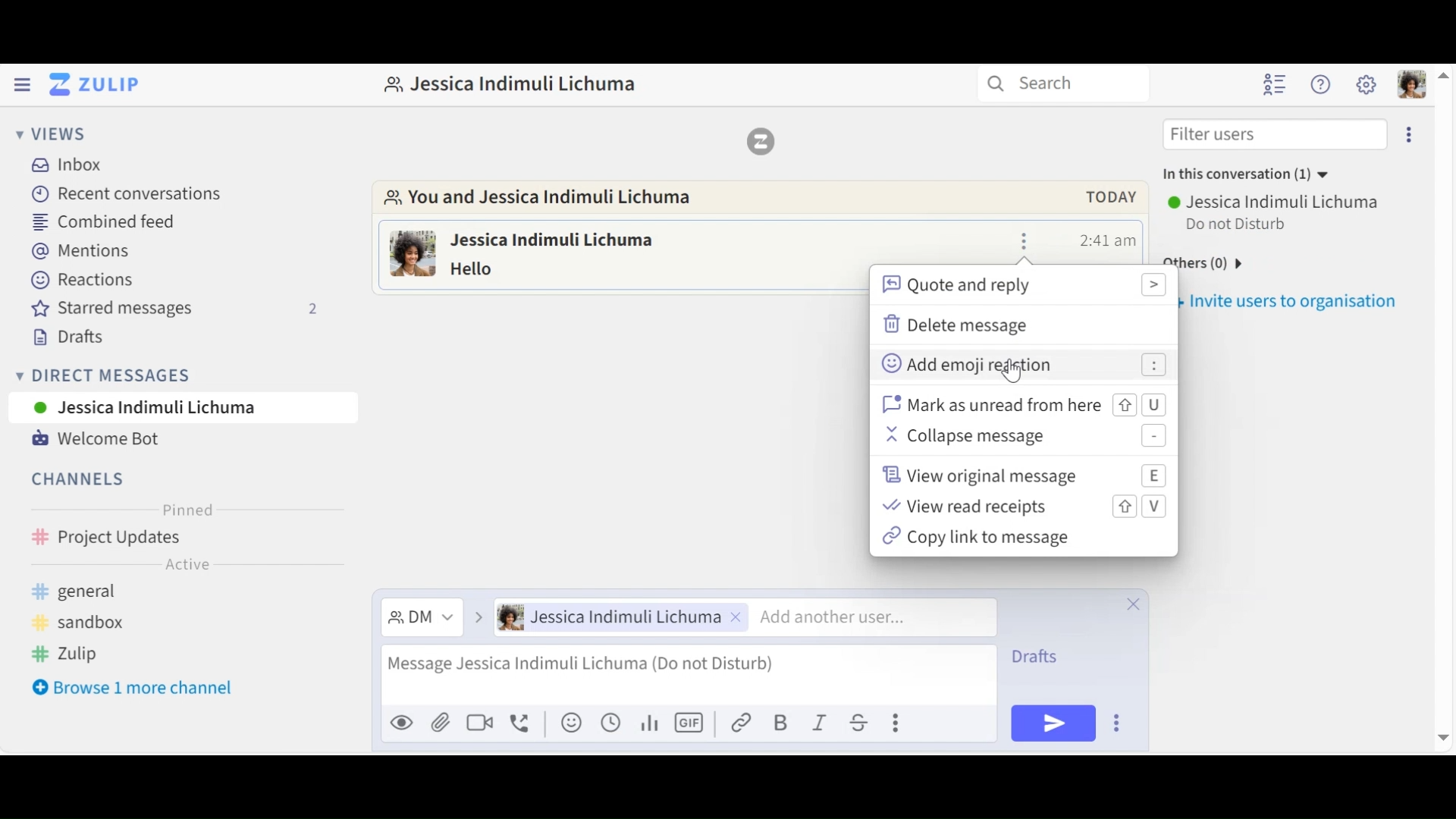 This screenshot has height=819, width=1456. What do you see at coordinates (80, 252) in the screenshot?
I see `Mentions` at bounding box center [80, 252].